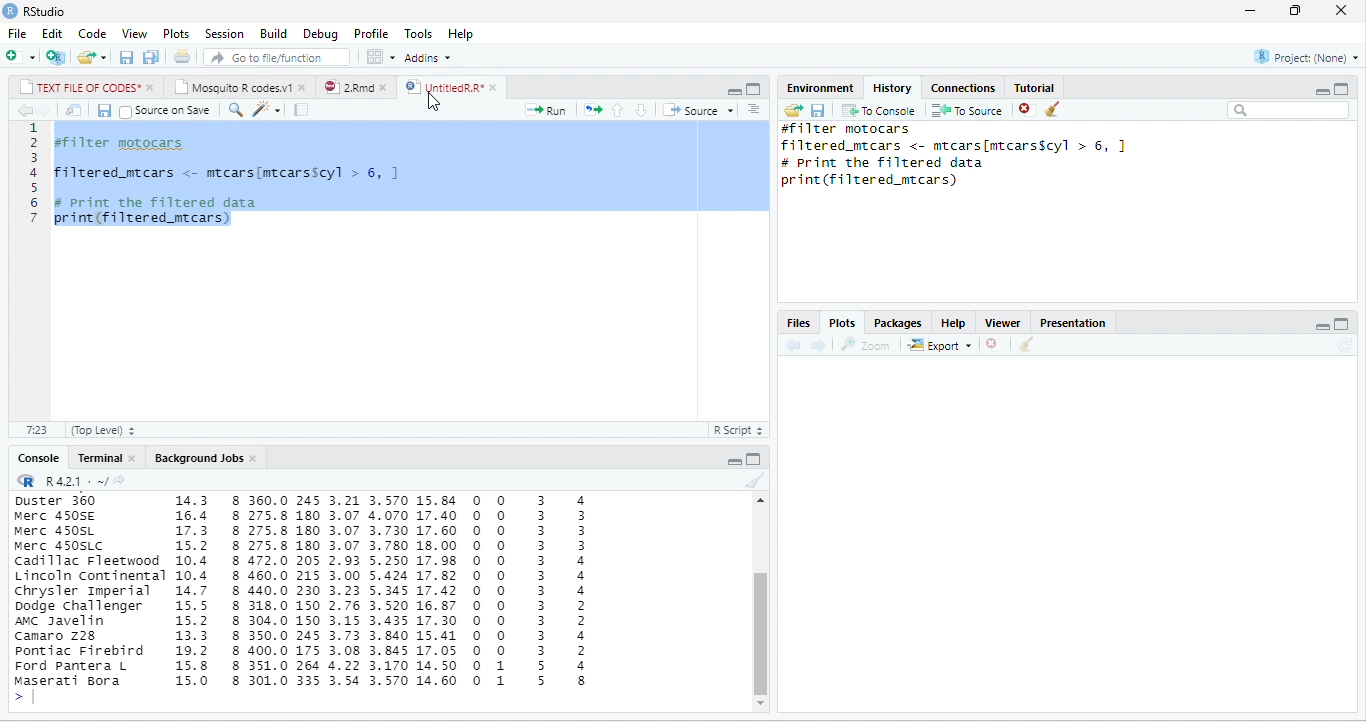  What do you see at coordinates (129, 144) in the screenshot?
I see `#filter motocars` at bounding box center [129, 144].